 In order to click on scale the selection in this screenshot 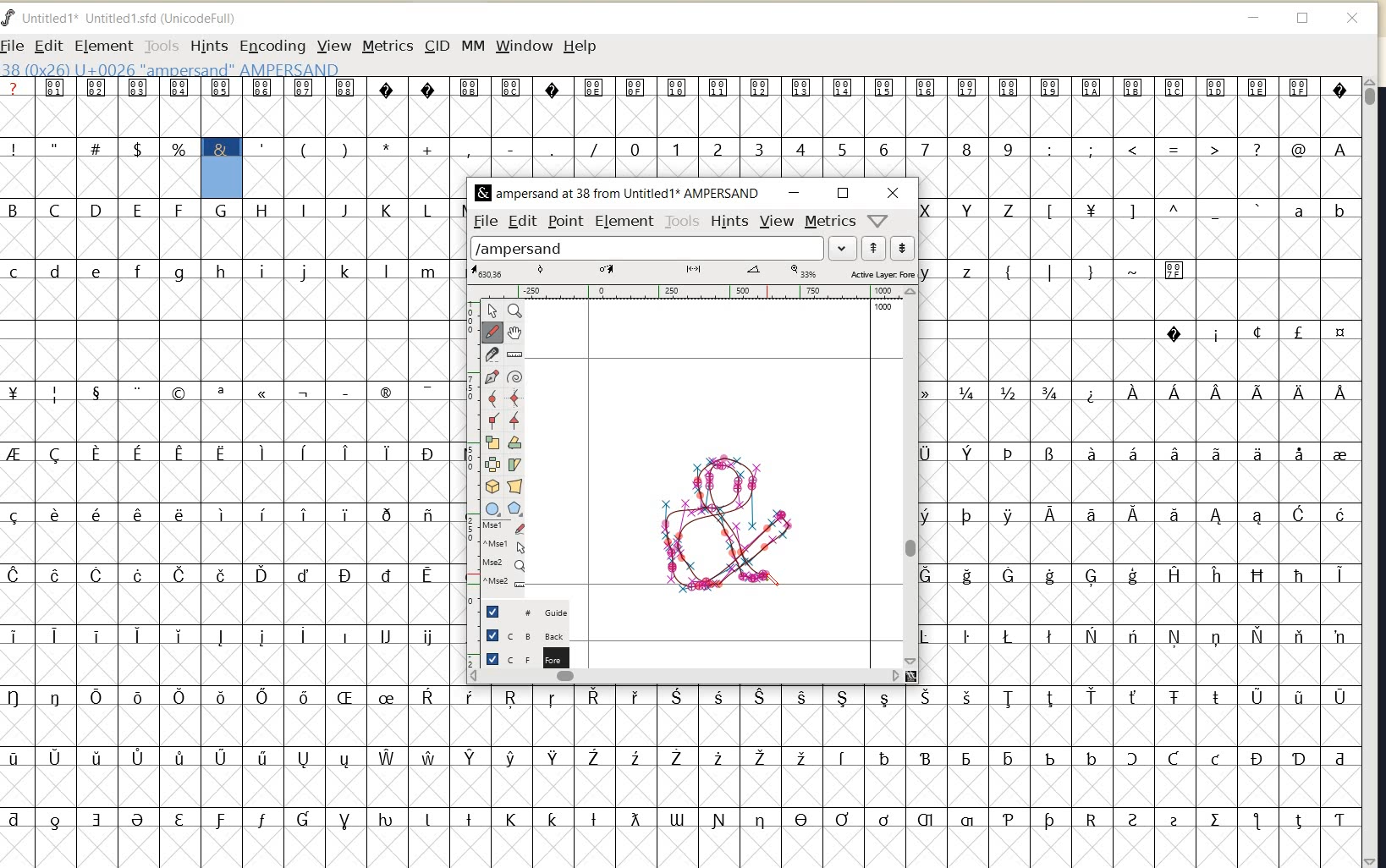, I will do `click(491, 442)`.